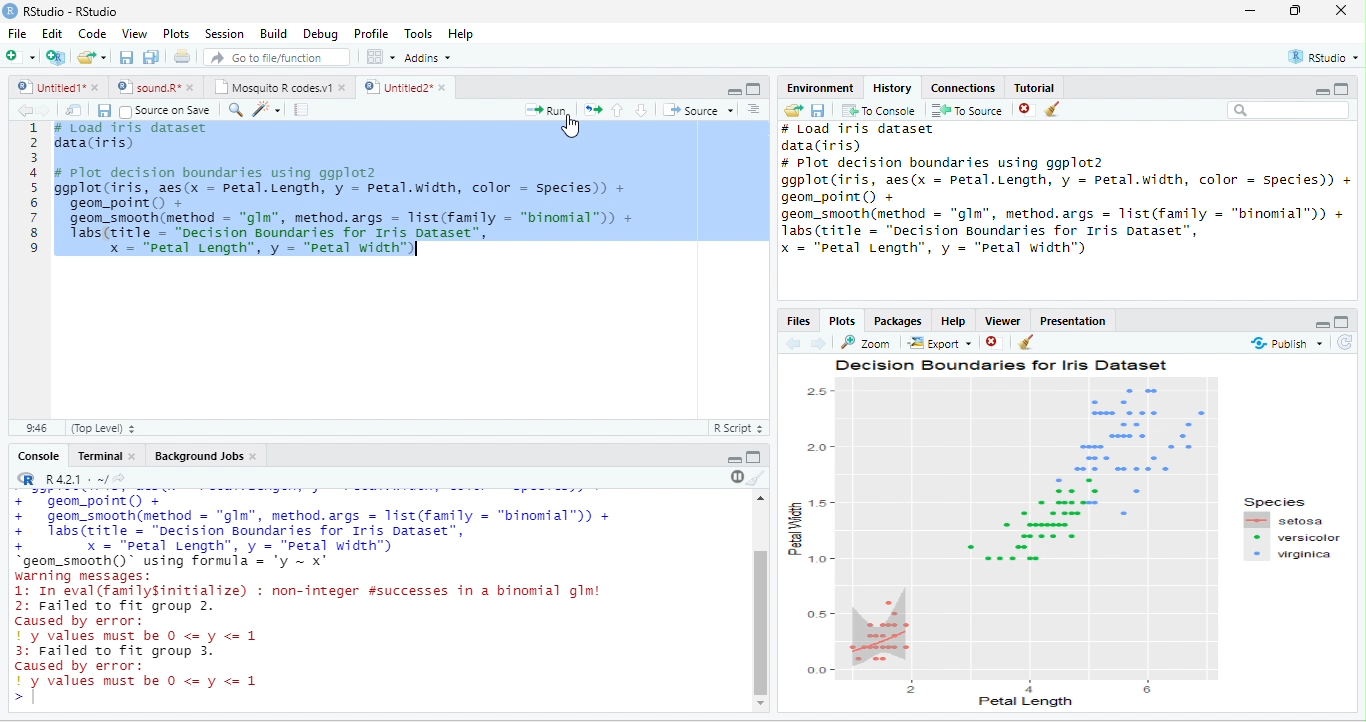  I want to click on search bar, so click(1289, 109).